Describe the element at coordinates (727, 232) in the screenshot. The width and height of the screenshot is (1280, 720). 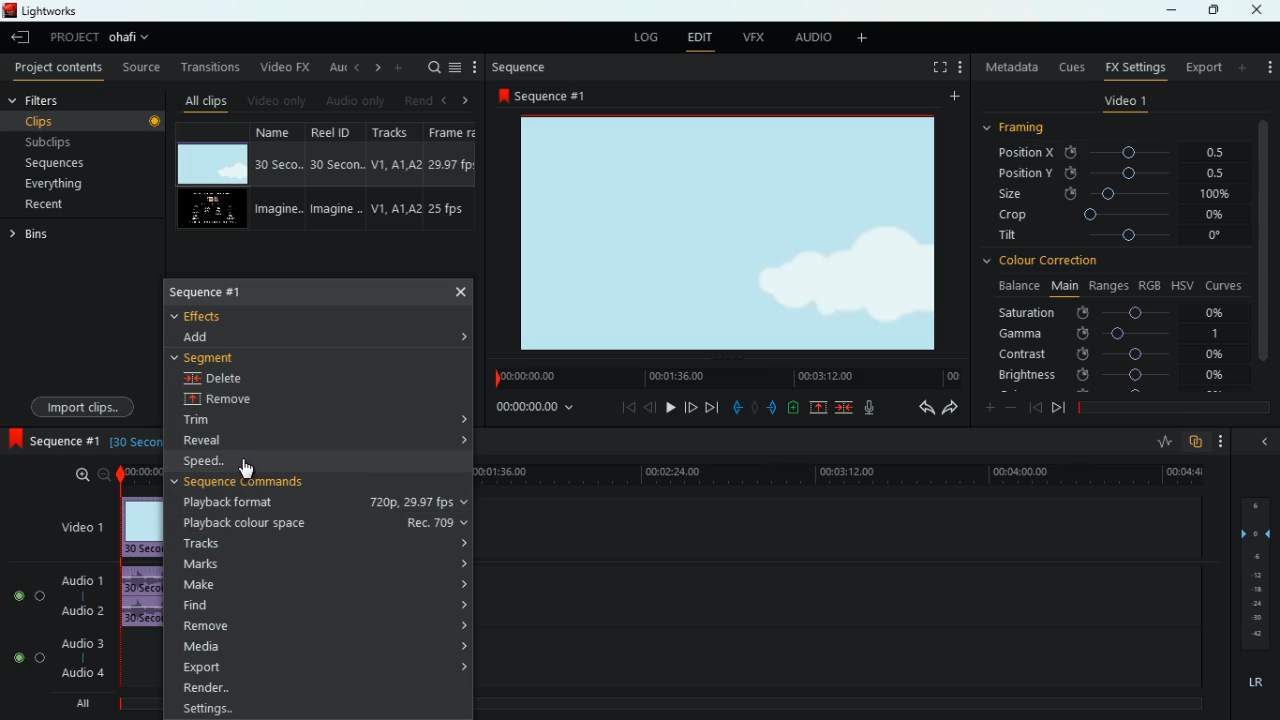
I see `image` at that location.